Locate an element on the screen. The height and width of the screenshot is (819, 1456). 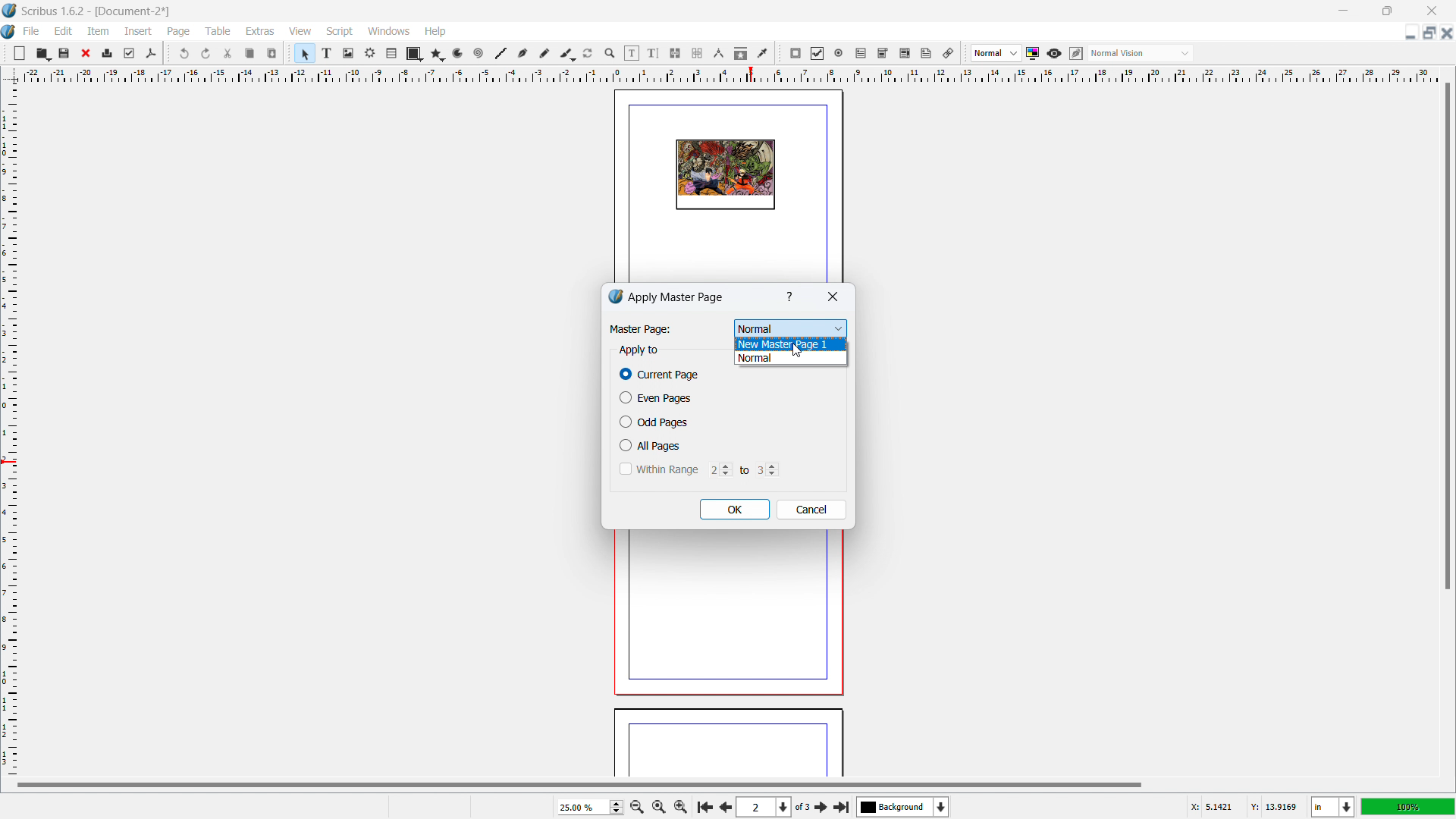
paste is located at coordinates (272, 53).